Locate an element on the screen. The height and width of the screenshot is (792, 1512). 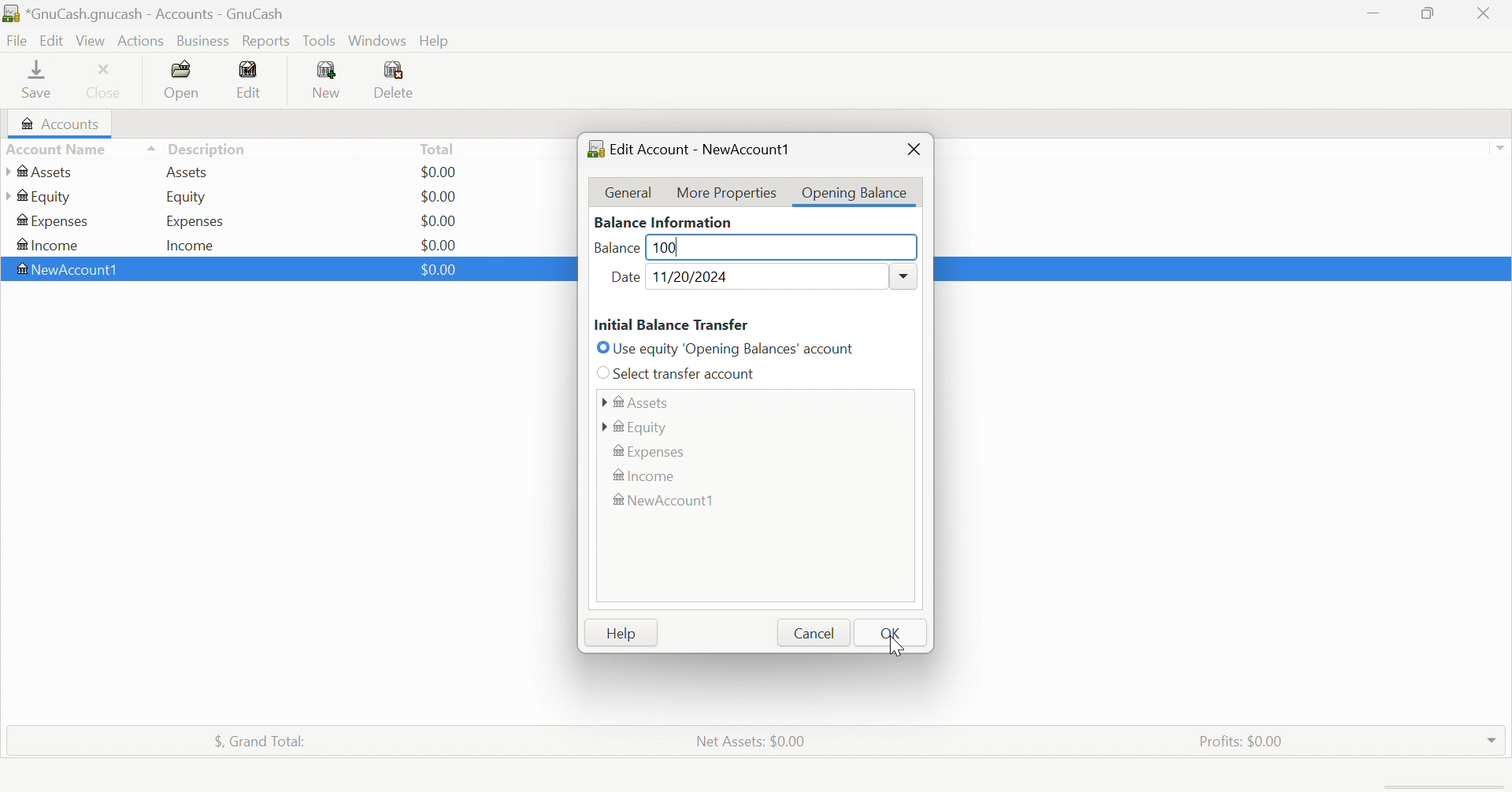
$, Grand Total: is located at coordinates (264, 741).